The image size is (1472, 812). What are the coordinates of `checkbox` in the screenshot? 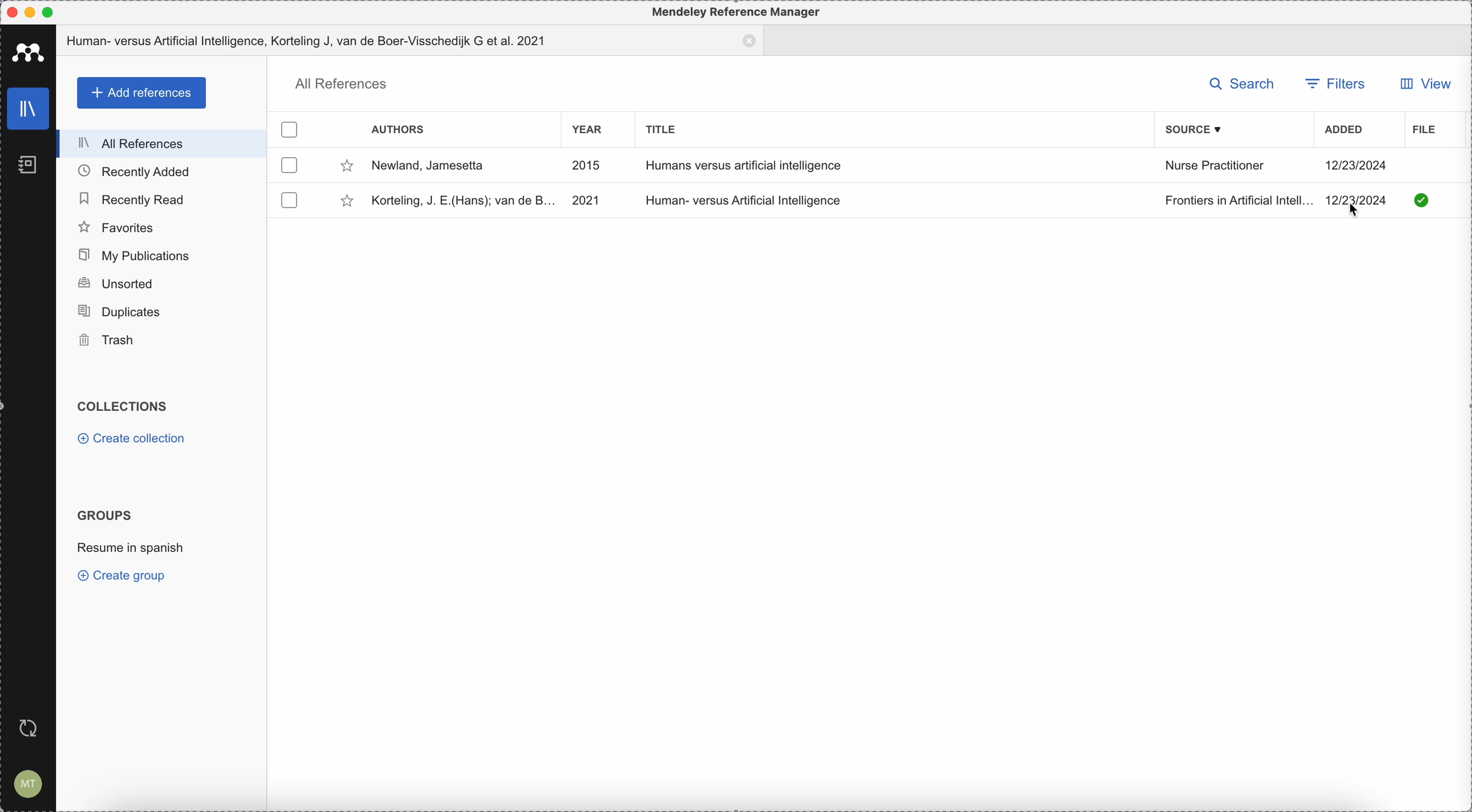 It's located at (291, 127).